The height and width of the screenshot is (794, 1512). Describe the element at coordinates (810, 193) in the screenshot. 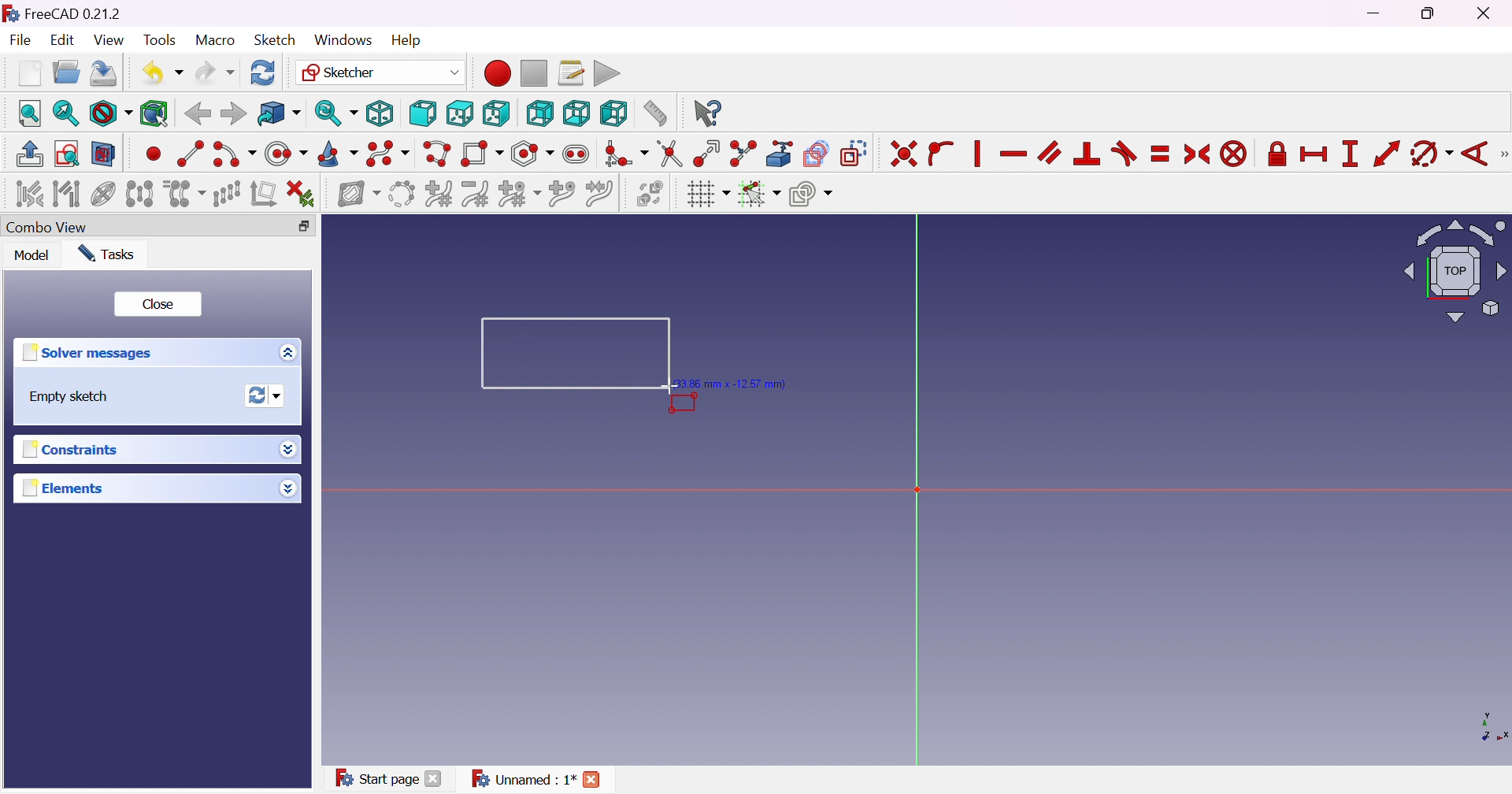

I see `Configure rendering order` at that location.